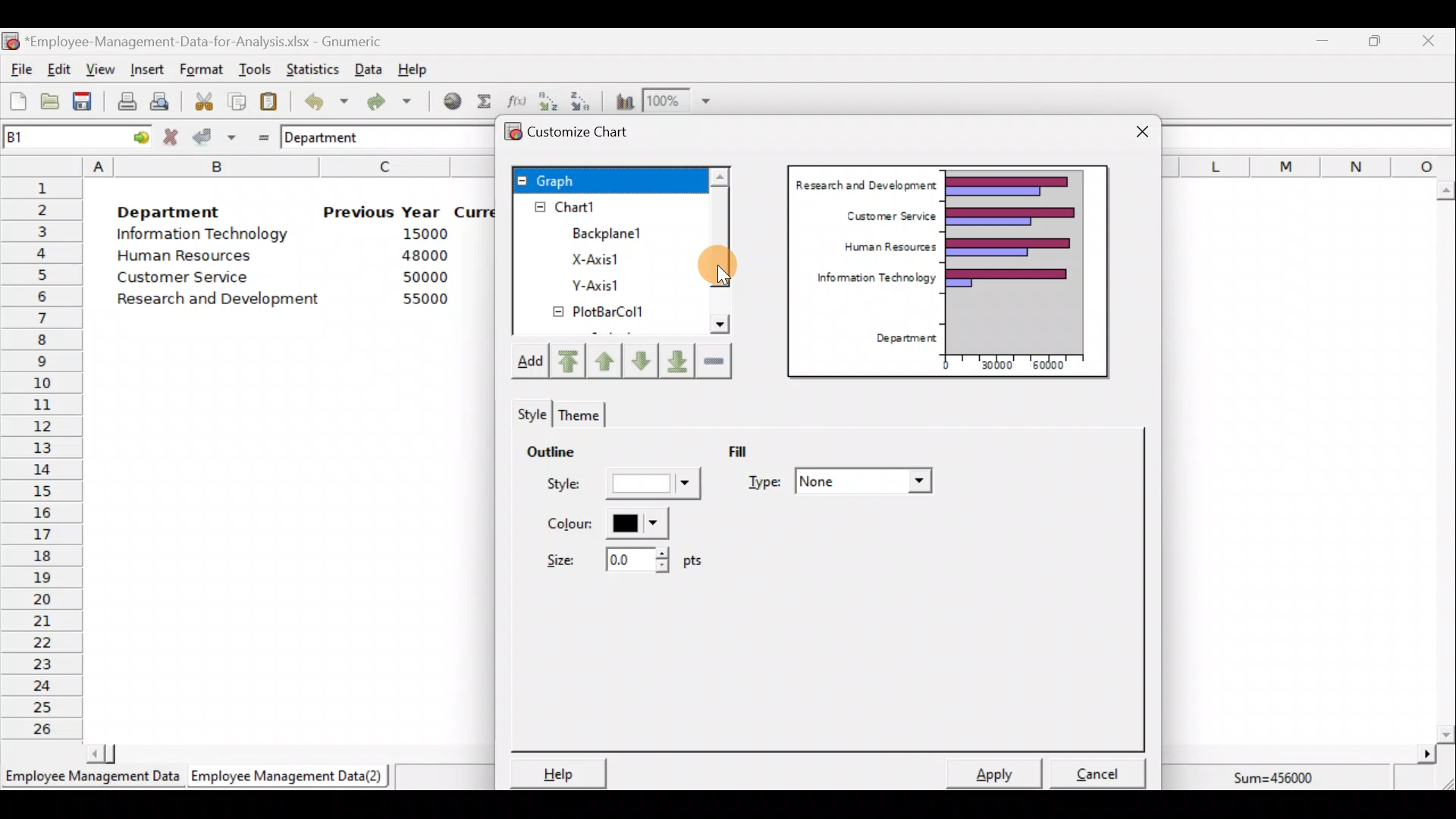 Image resolution: width=1456 pixels, height=819 pixels. I want to click on Backplane1, so click(610, 234).